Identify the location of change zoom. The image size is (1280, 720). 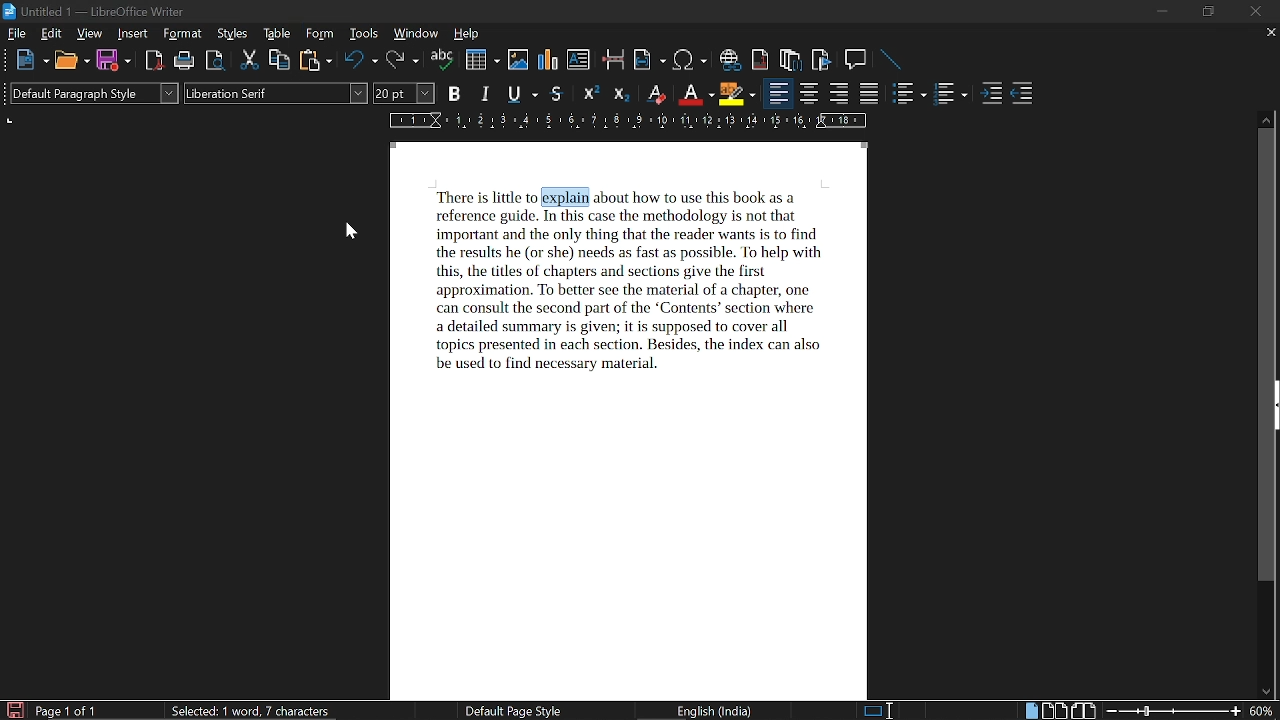
(1174, 710).